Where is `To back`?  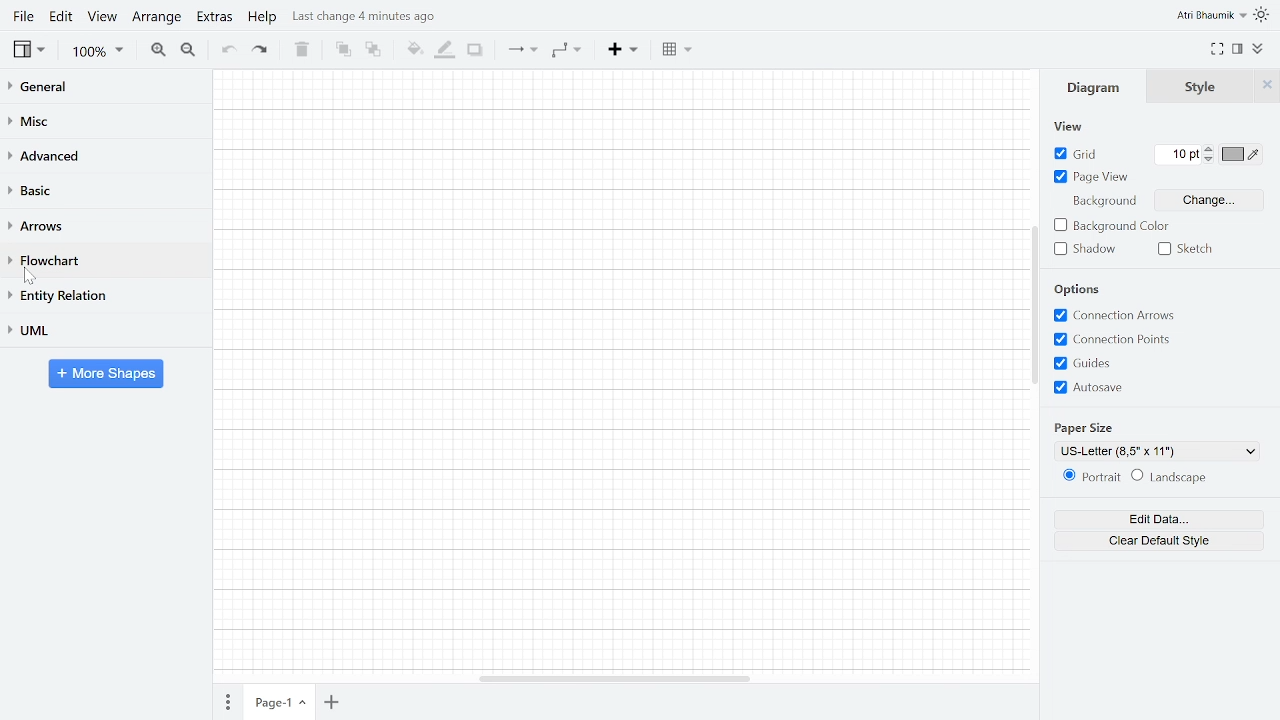
To back is located at coordinates (374, 51).